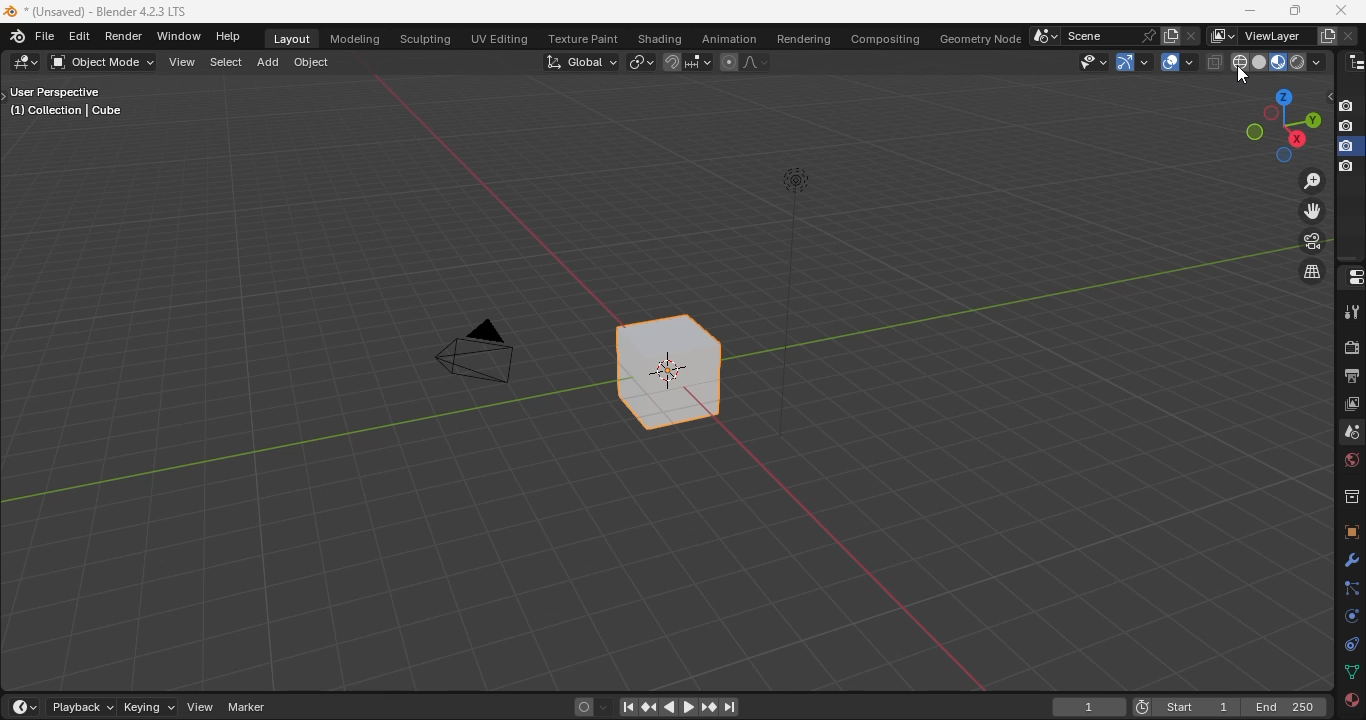 The width and height of the screenshot is (1366, 720). Describe the element at coordinates (1261, 62) in the screenshot. I see `solid display` at that location.